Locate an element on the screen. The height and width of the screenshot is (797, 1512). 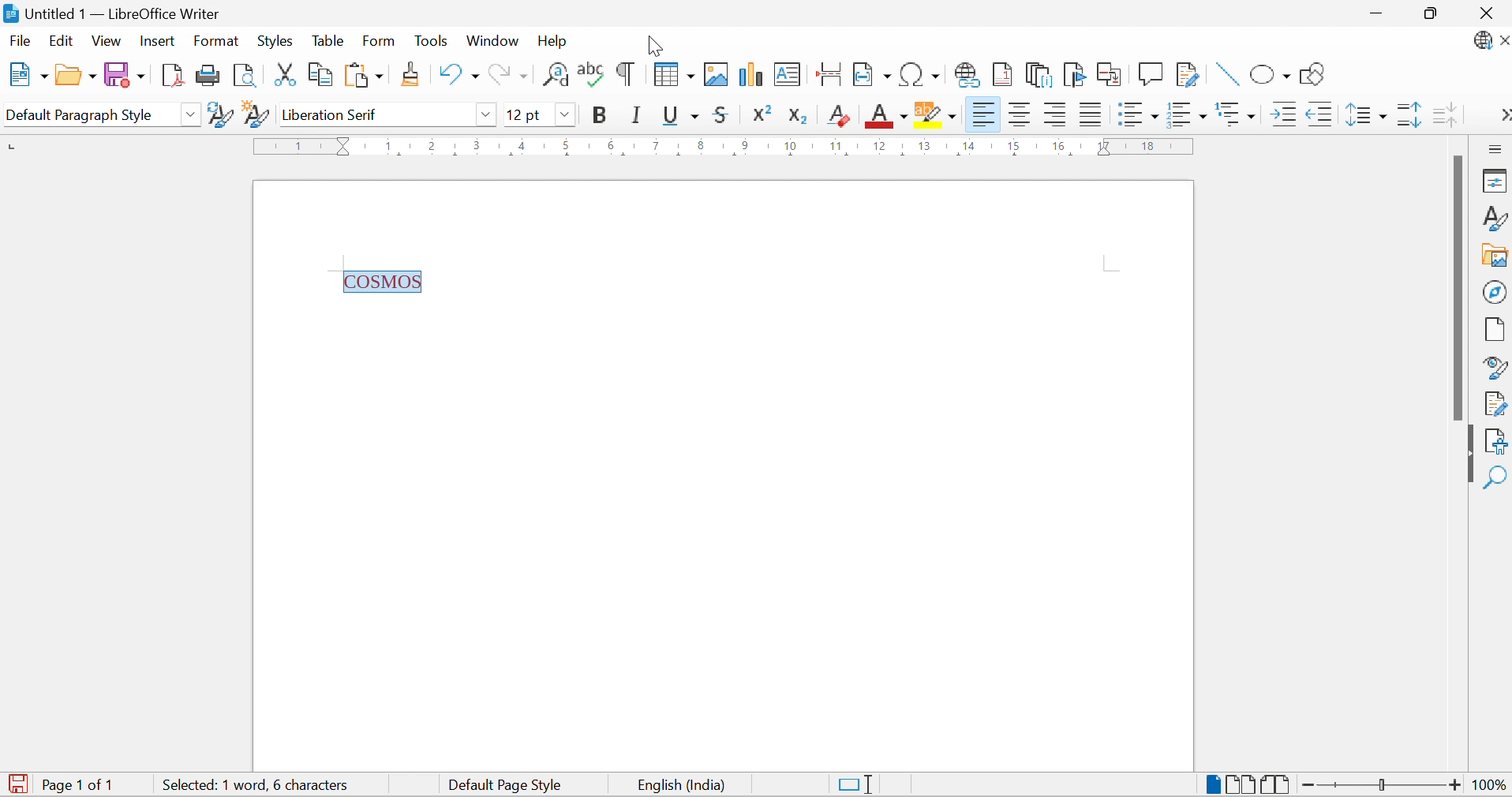
Clone Formatting is located at coordinates (413, 73).